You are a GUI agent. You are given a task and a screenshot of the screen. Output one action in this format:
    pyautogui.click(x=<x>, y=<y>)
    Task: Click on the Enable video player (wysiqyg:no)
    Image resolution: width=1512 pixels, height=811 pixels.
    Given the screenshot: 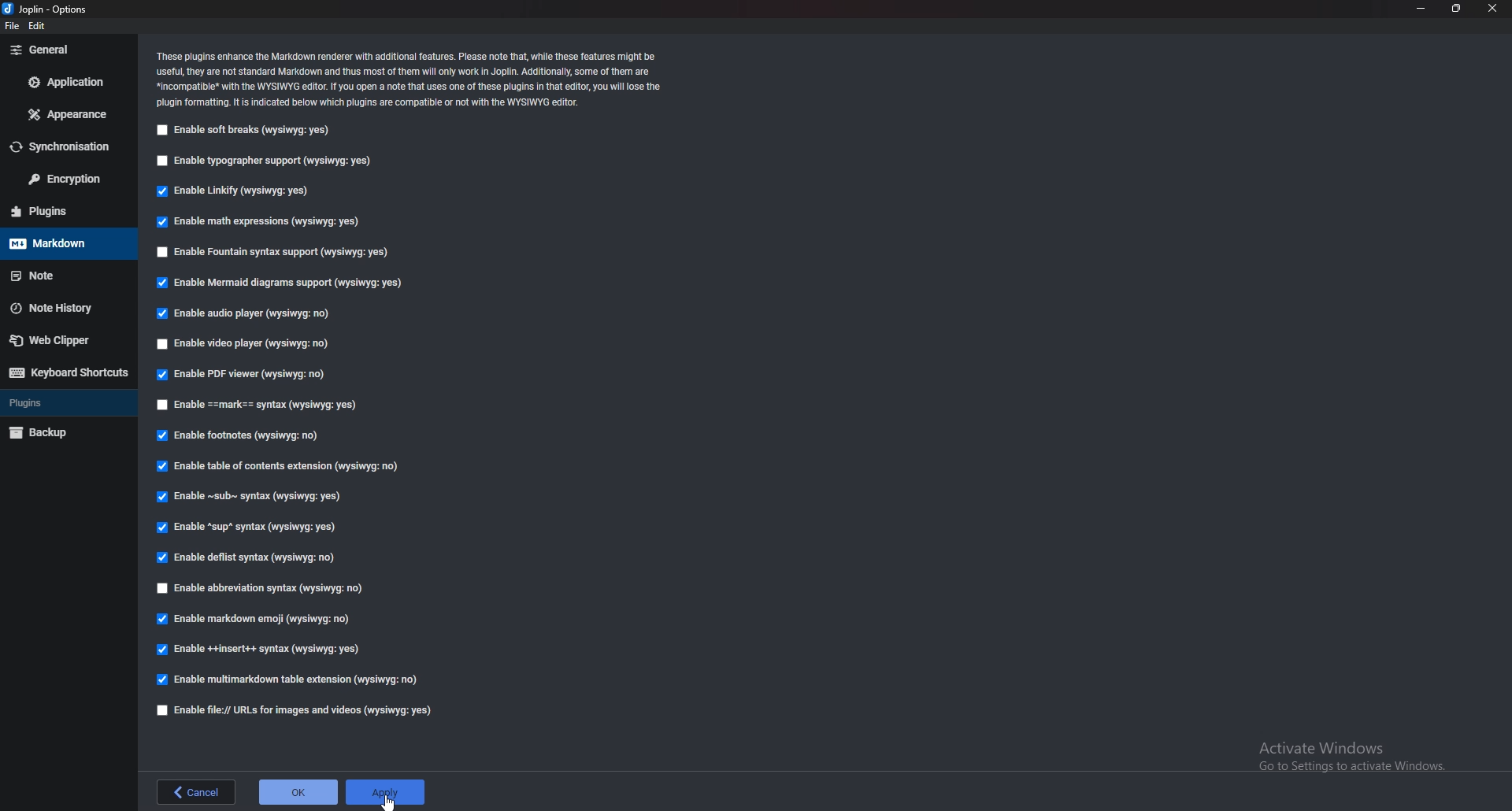 What is the action you would take?
    pyautogui.click(x=245, y=342)
    